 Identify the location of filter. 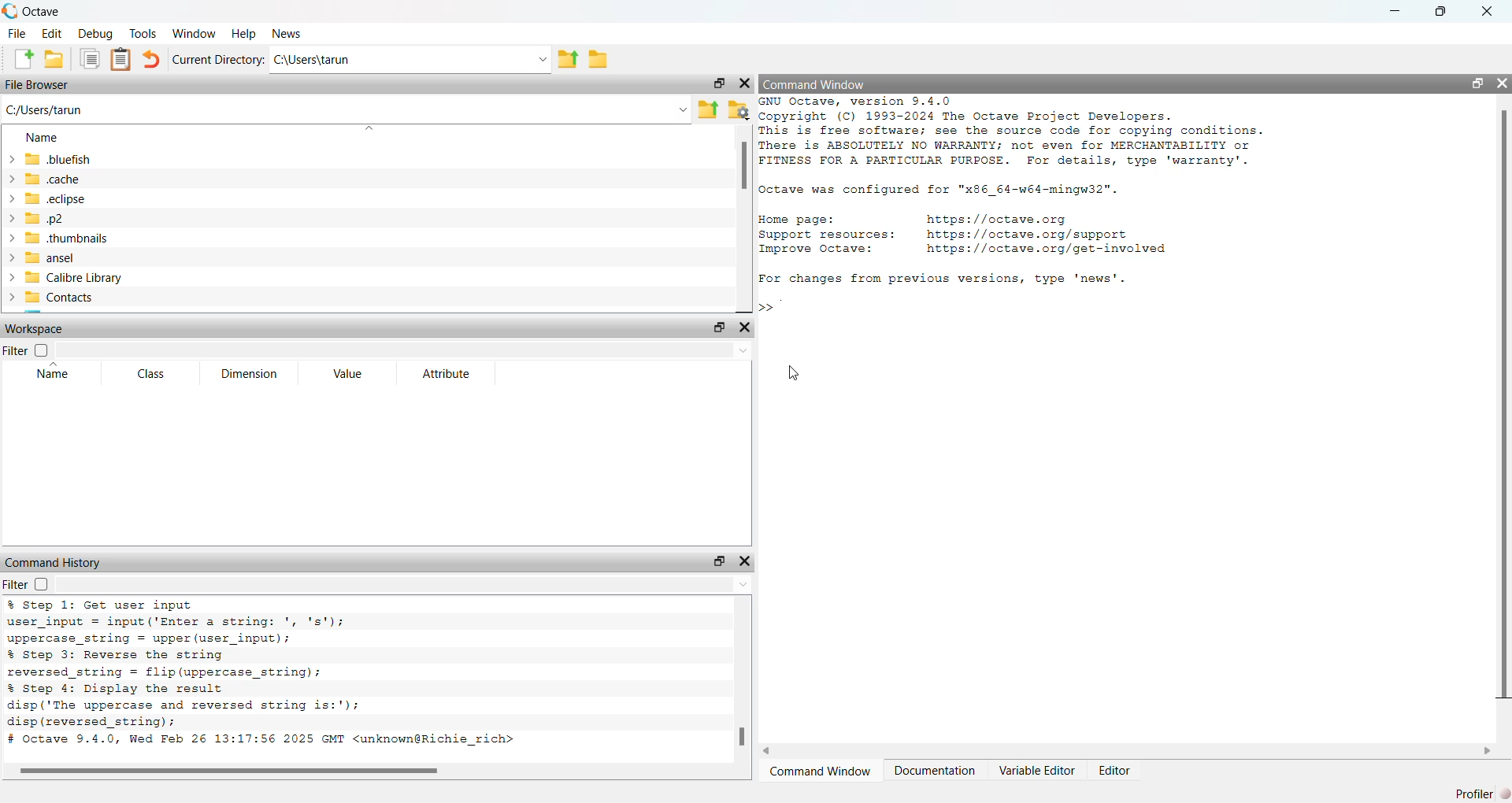
(31, 584).